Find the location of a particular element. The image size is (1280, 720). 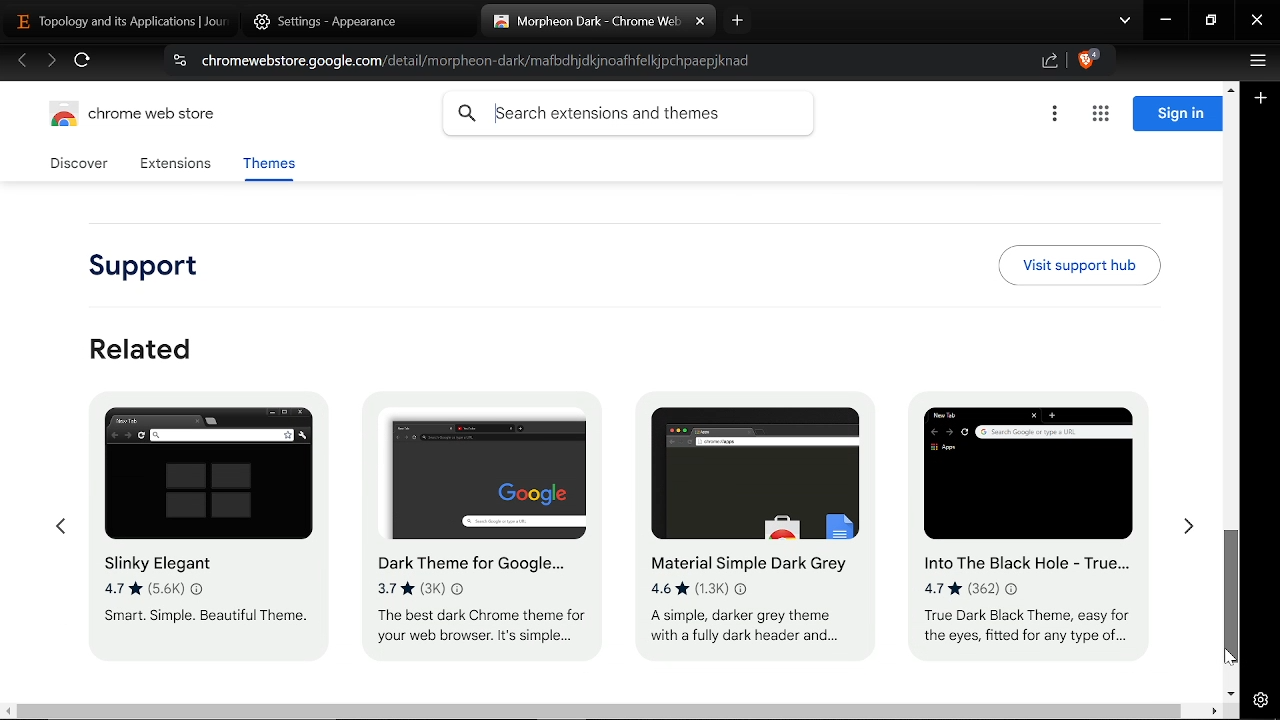

Extended URL is located at coordinates (210, 709).